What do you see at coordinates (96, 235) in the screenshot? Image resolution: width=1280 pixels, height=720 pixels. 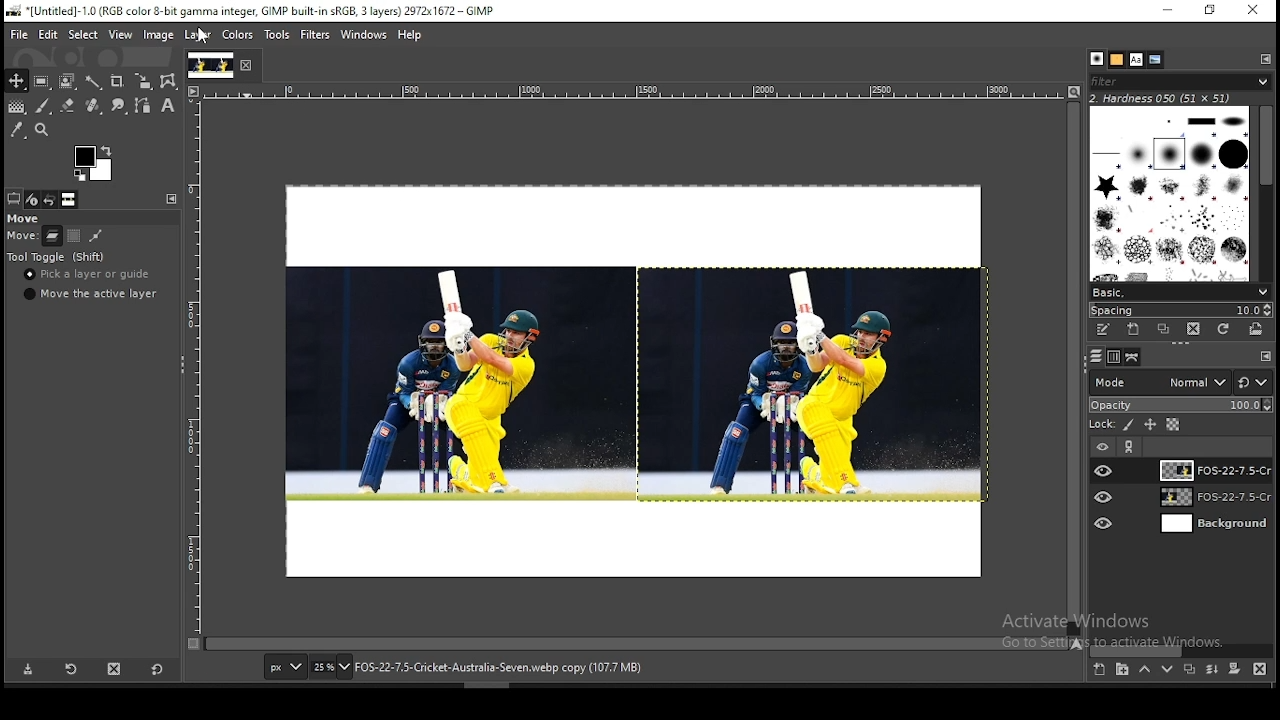 I see `move paths` at bounding box center [96, 235].